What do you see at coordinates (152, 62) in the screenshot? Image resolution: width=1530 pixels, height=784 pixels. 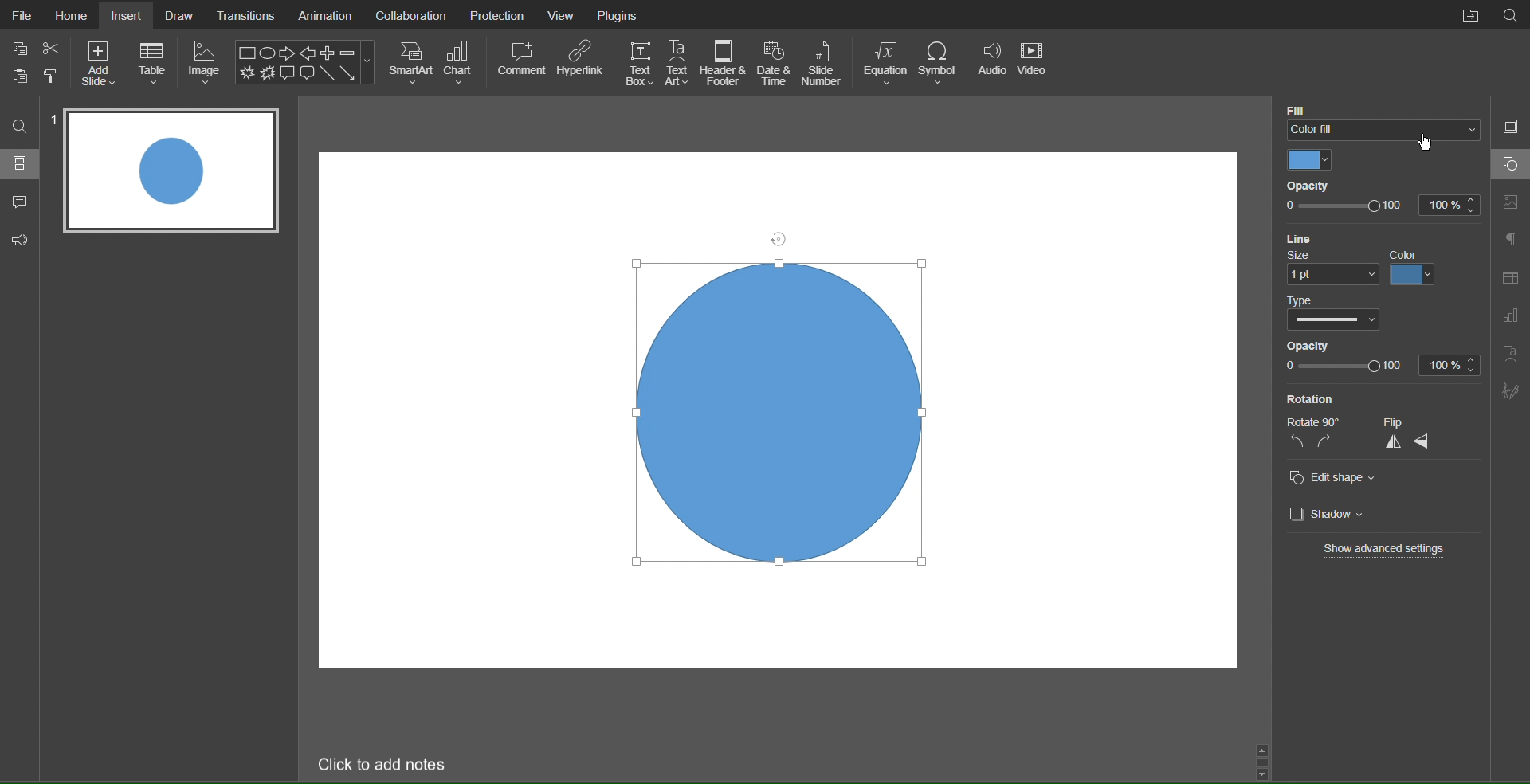 I see `Table` at bounding box center [152, 62].